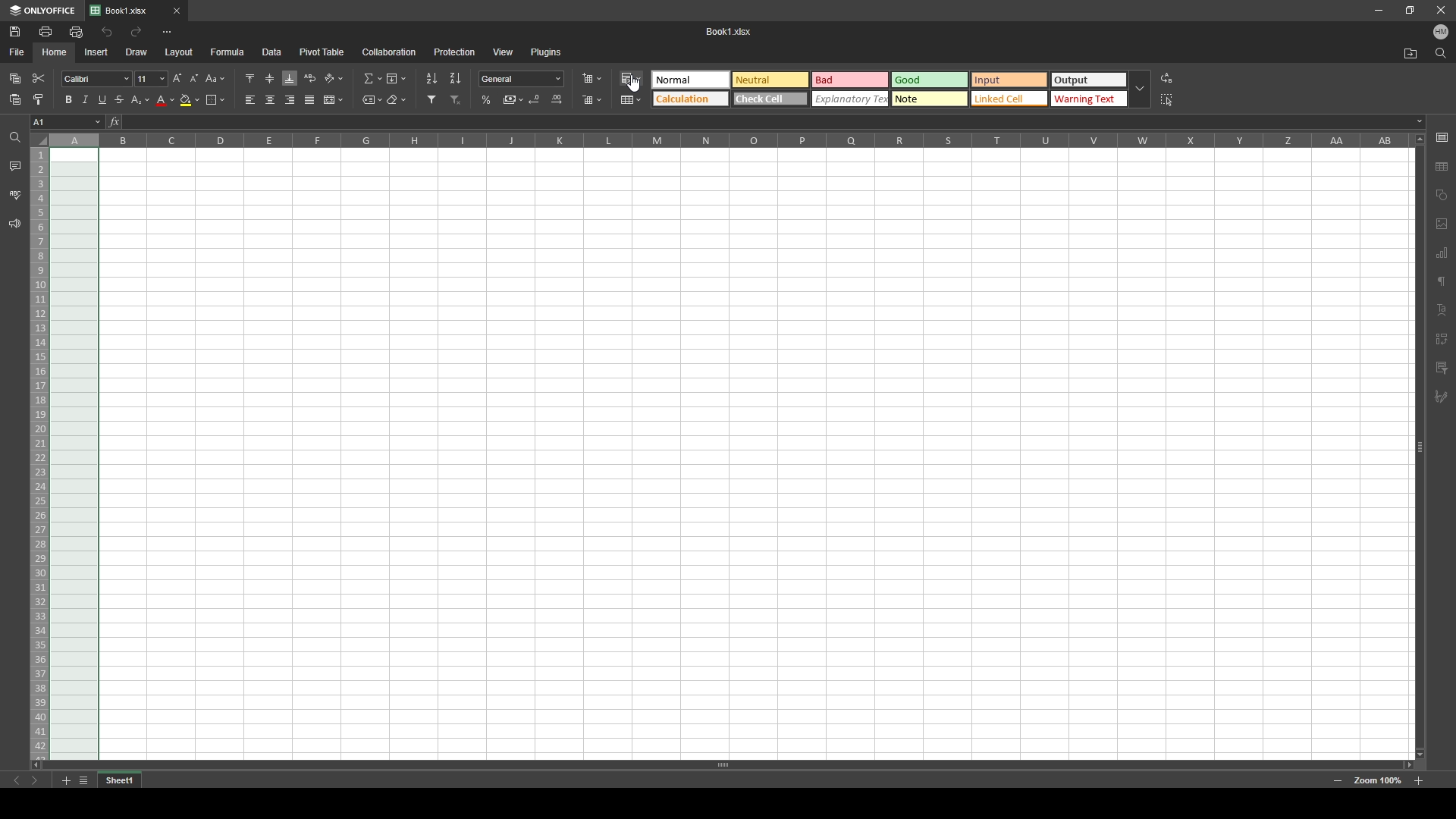 The height and width of the screenshot is (819, 1456). What do you see at coordinates (456, 77) in the screenshot?
I see `sort descending` at bounding box center [456, 77].